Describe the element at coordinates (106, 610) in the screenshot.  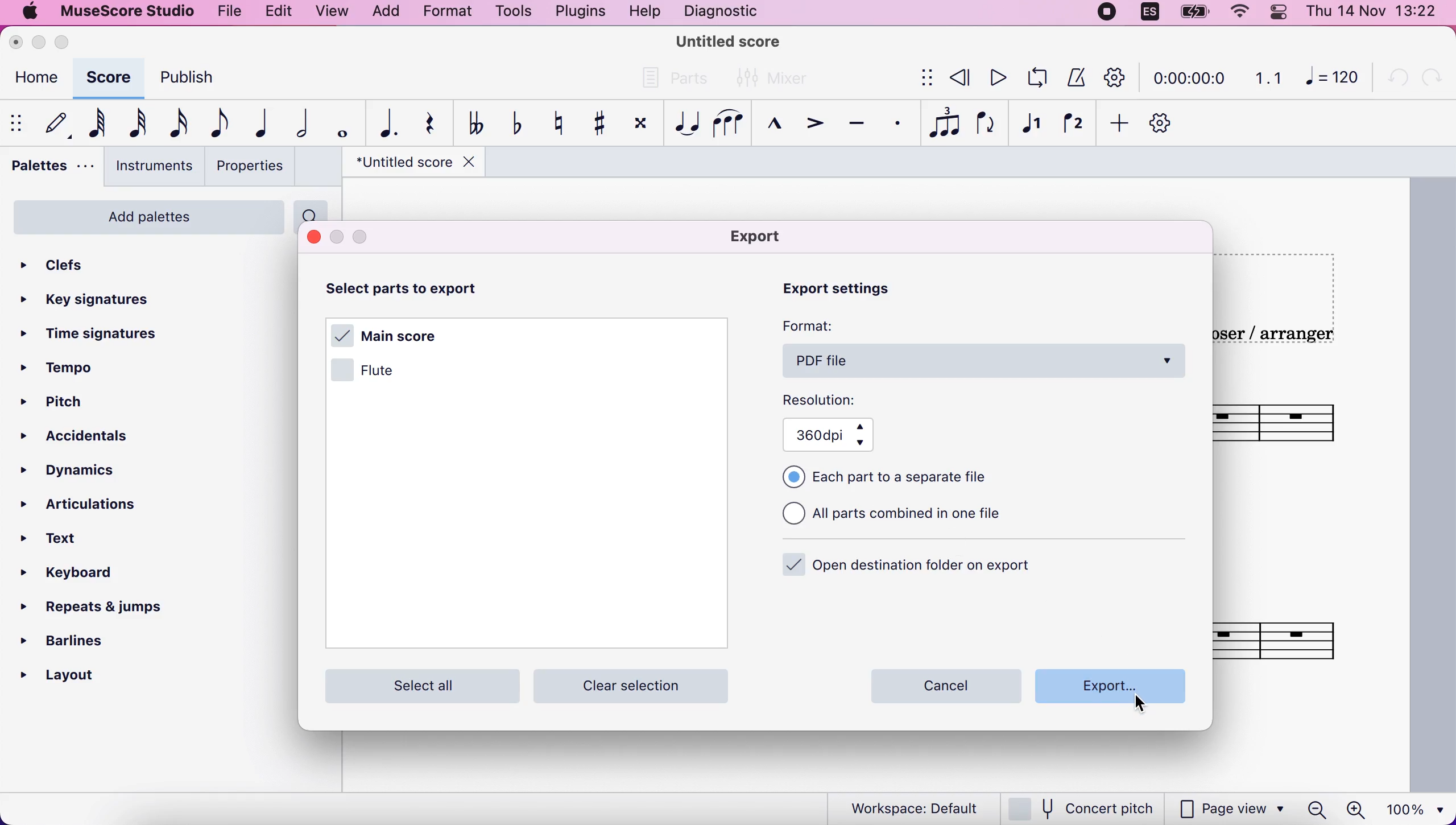
I see `repeats and jumps` at that location.